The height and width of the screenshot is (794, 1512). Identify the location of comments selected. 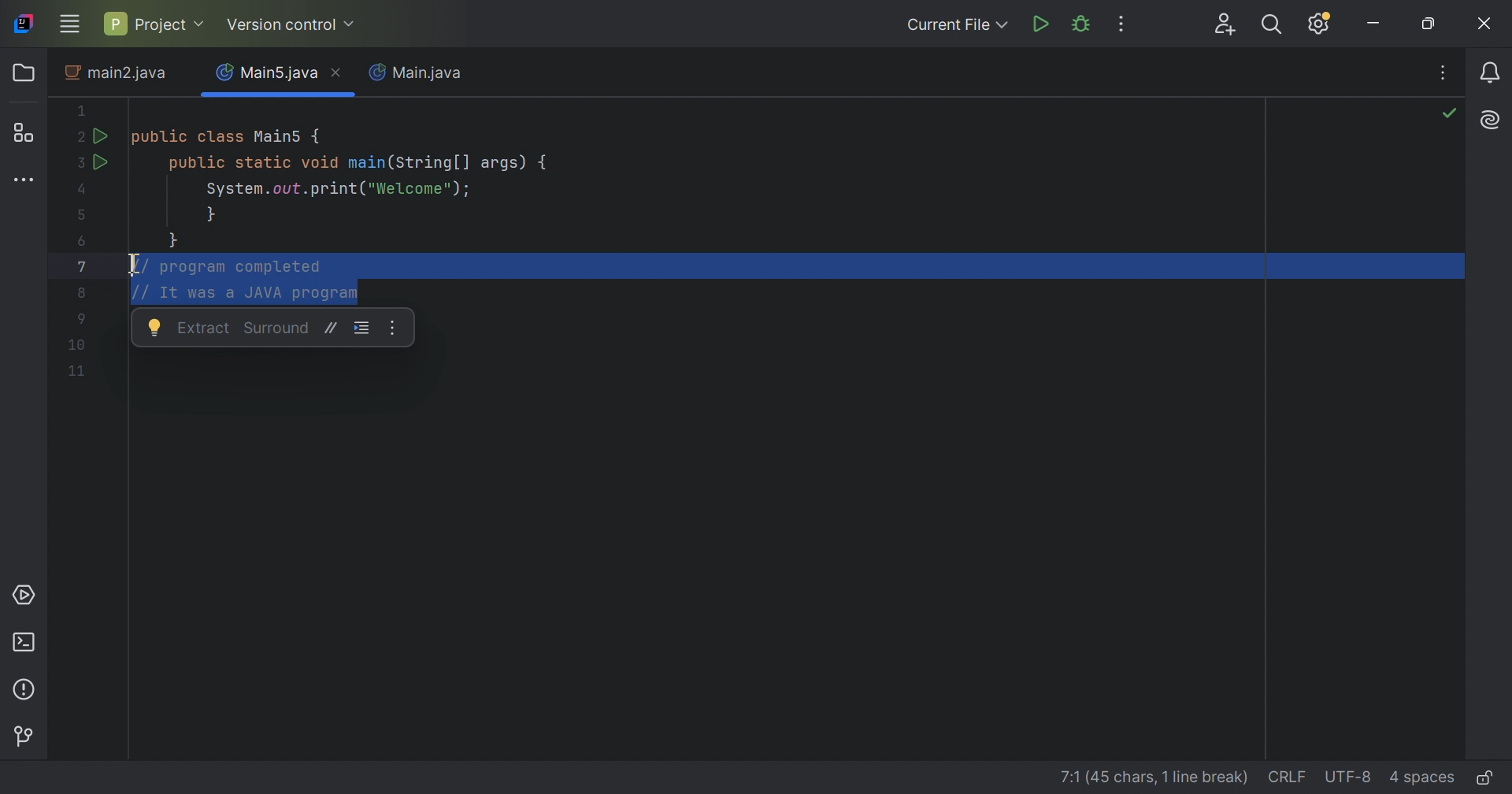
(230, 280).